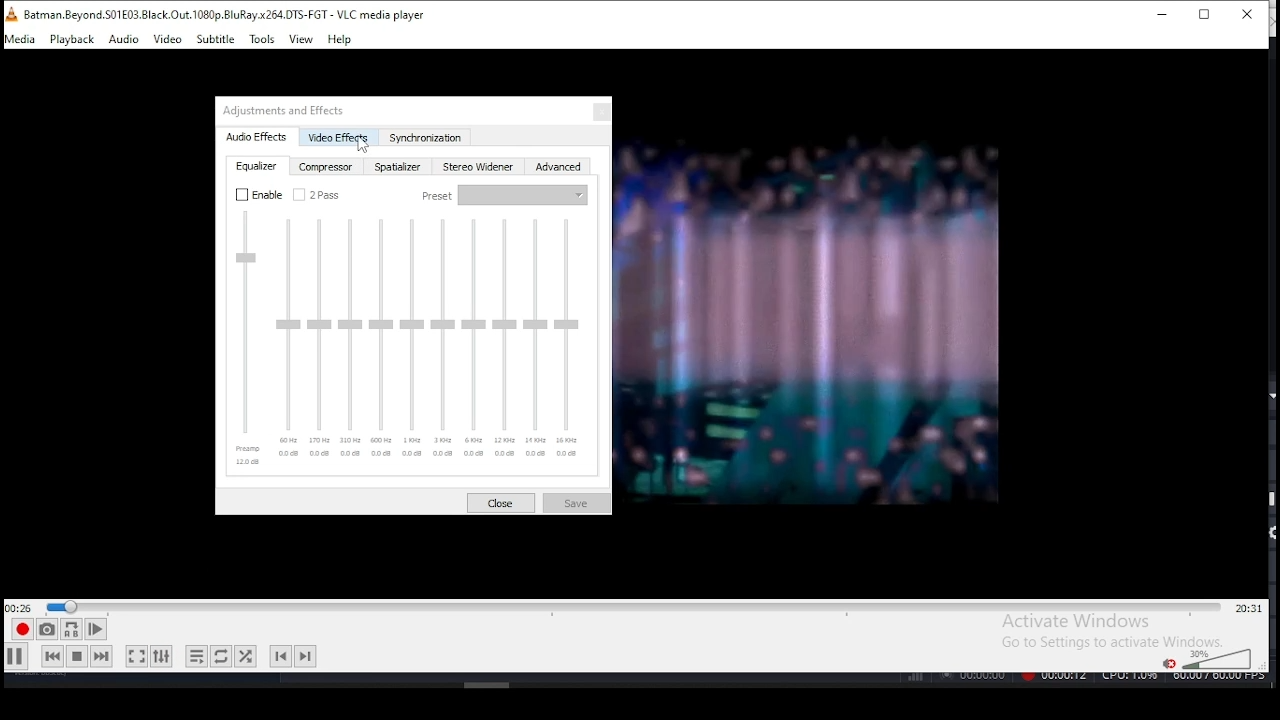 This screenshot has width=1280, height=720. What do you see at coordinates (317, 194) in the screenshot?
I see `checkbox: ` at bounding box center [317, 194].